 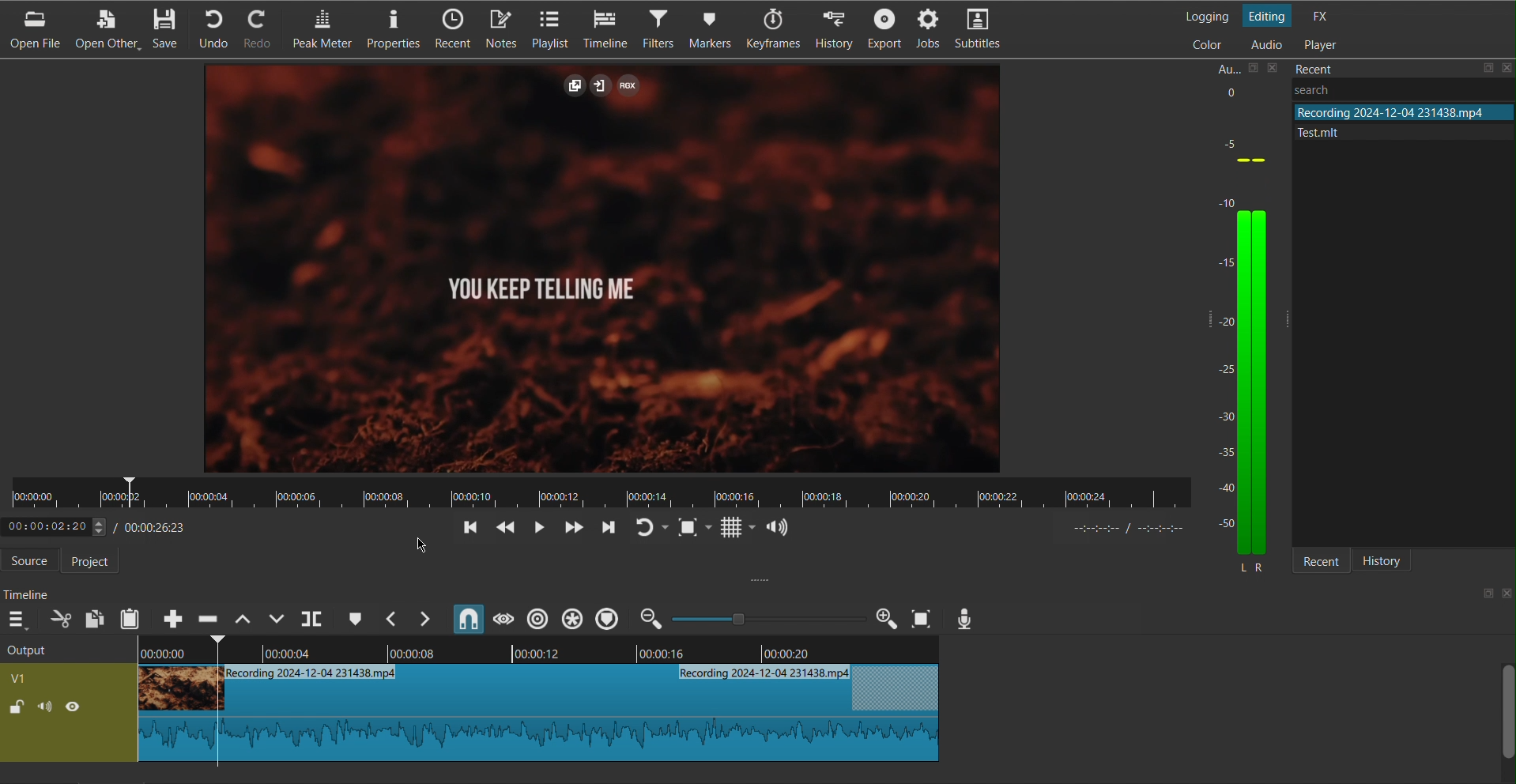 I want to click on Open File, so click(x=32, y=29).